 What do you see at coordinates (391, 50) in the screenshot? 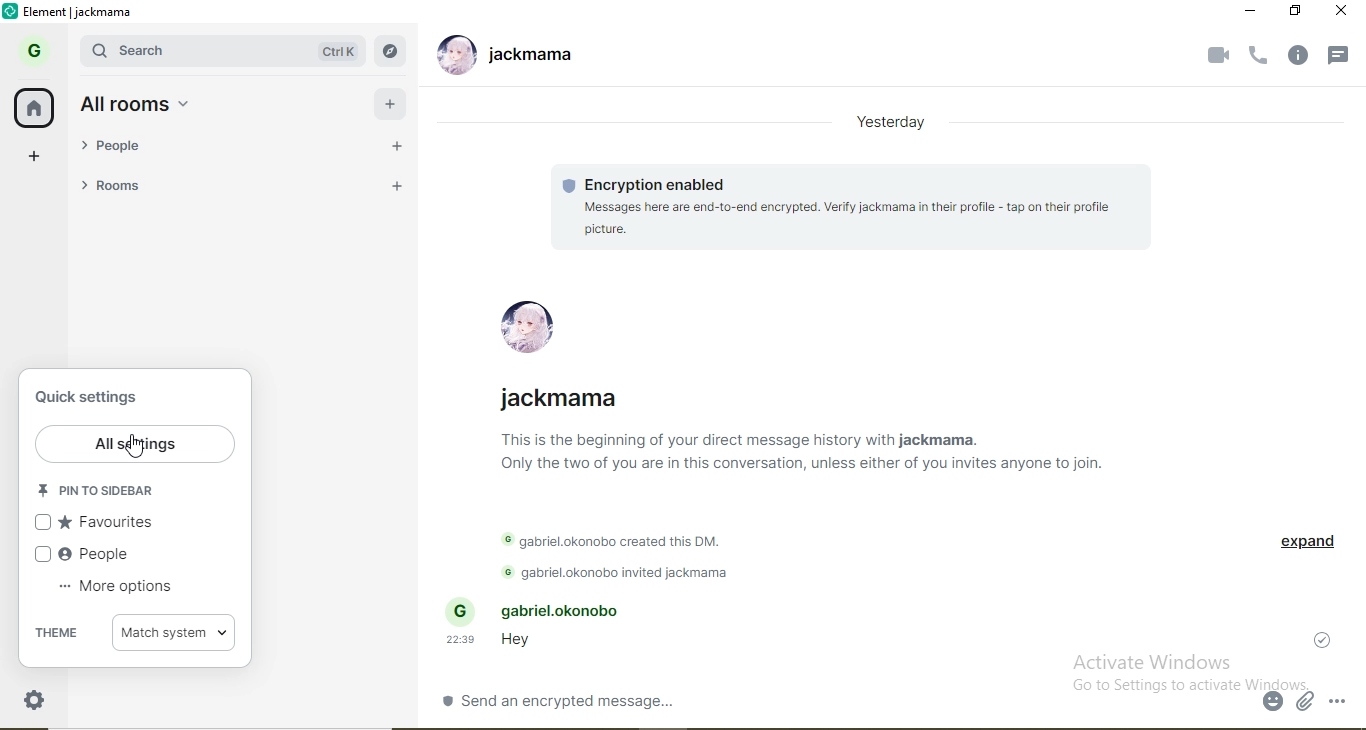
I see `navigate` at bounding box center [391, 50].